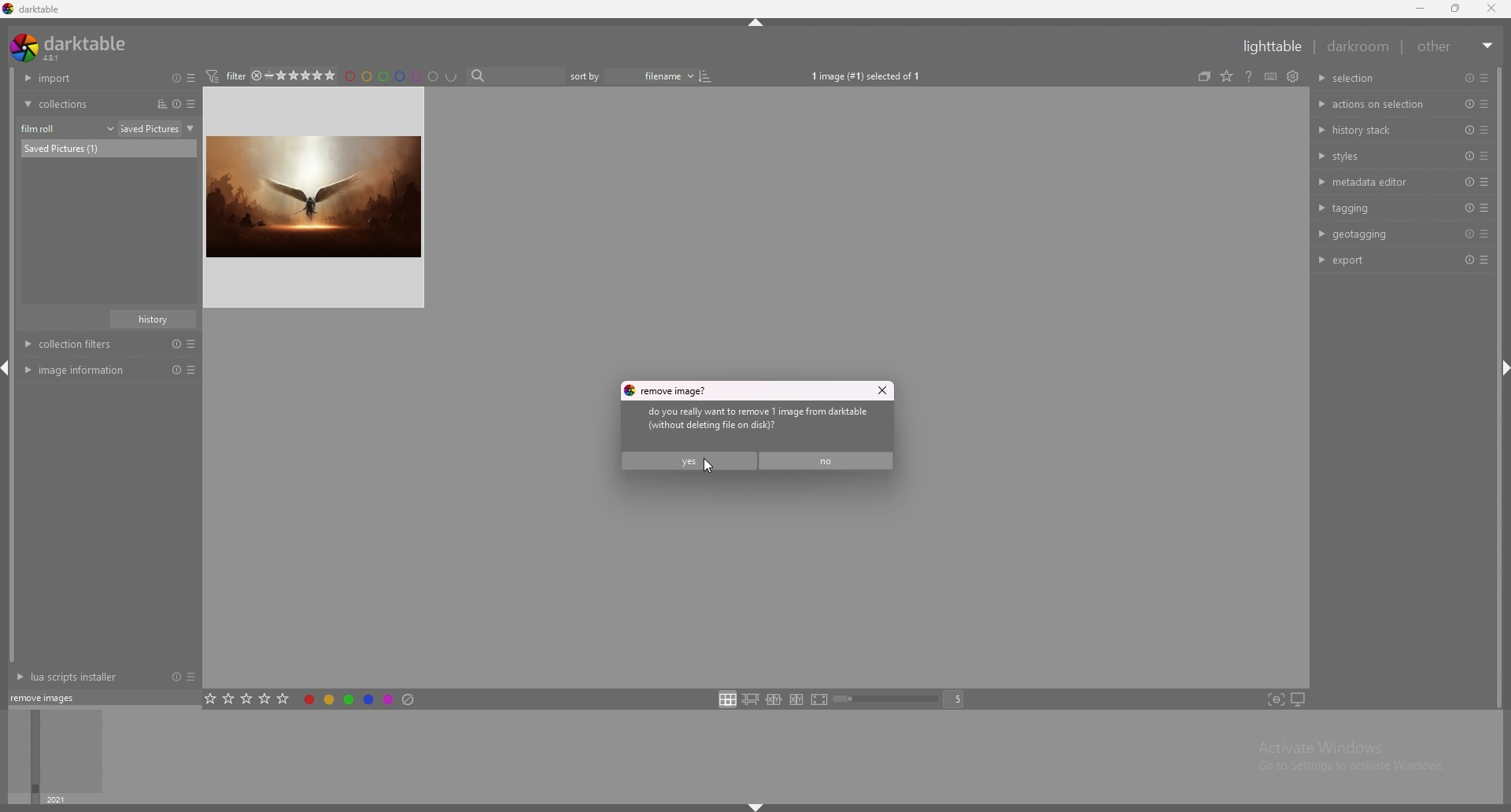 This screenshot has height=812, width=1511. Describe the element at coordinates (829, 460) in the screenshot. I see `no` at that location.